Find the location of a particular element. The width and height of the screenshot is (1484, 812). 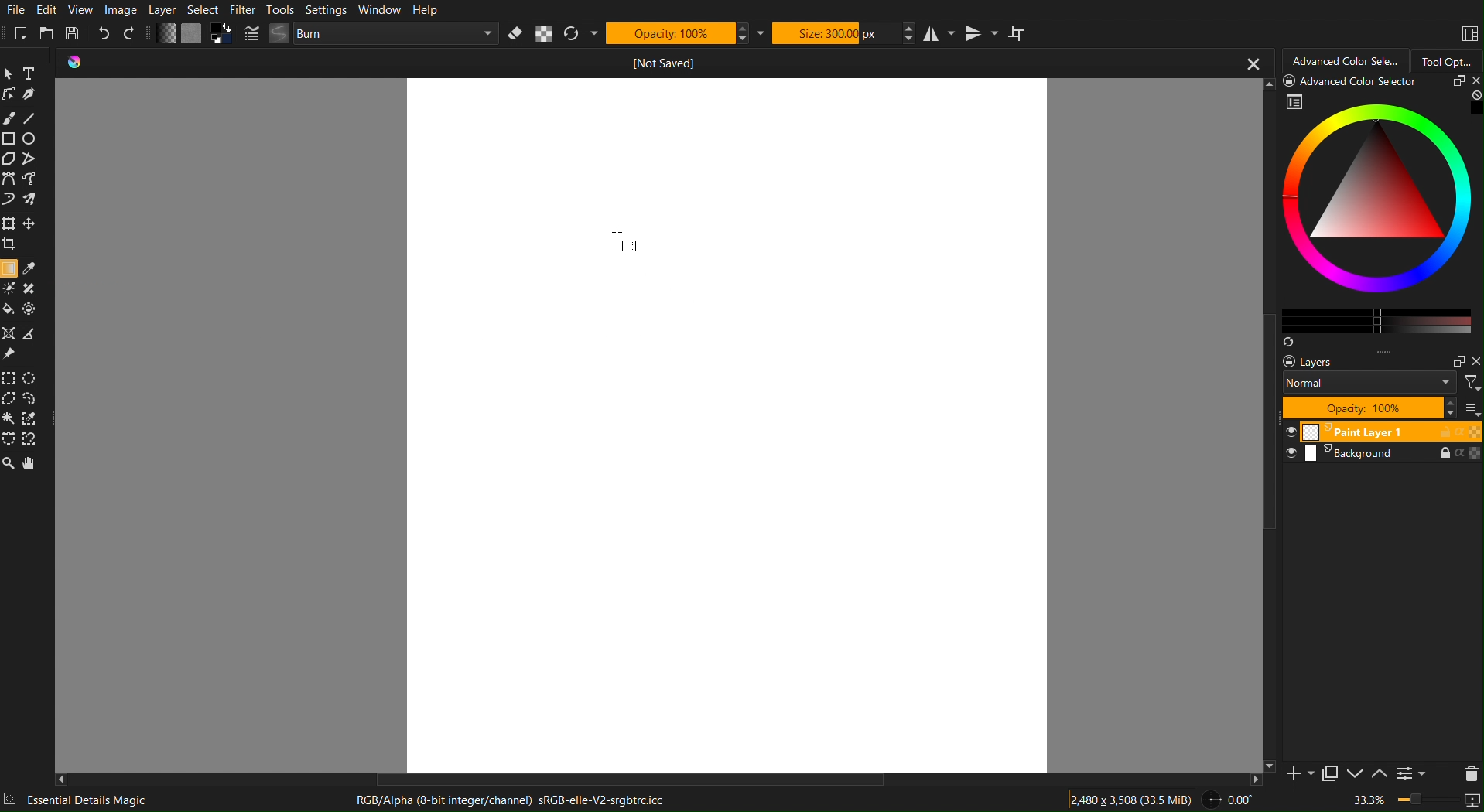

Delete is located at coordinates (1467, 772).